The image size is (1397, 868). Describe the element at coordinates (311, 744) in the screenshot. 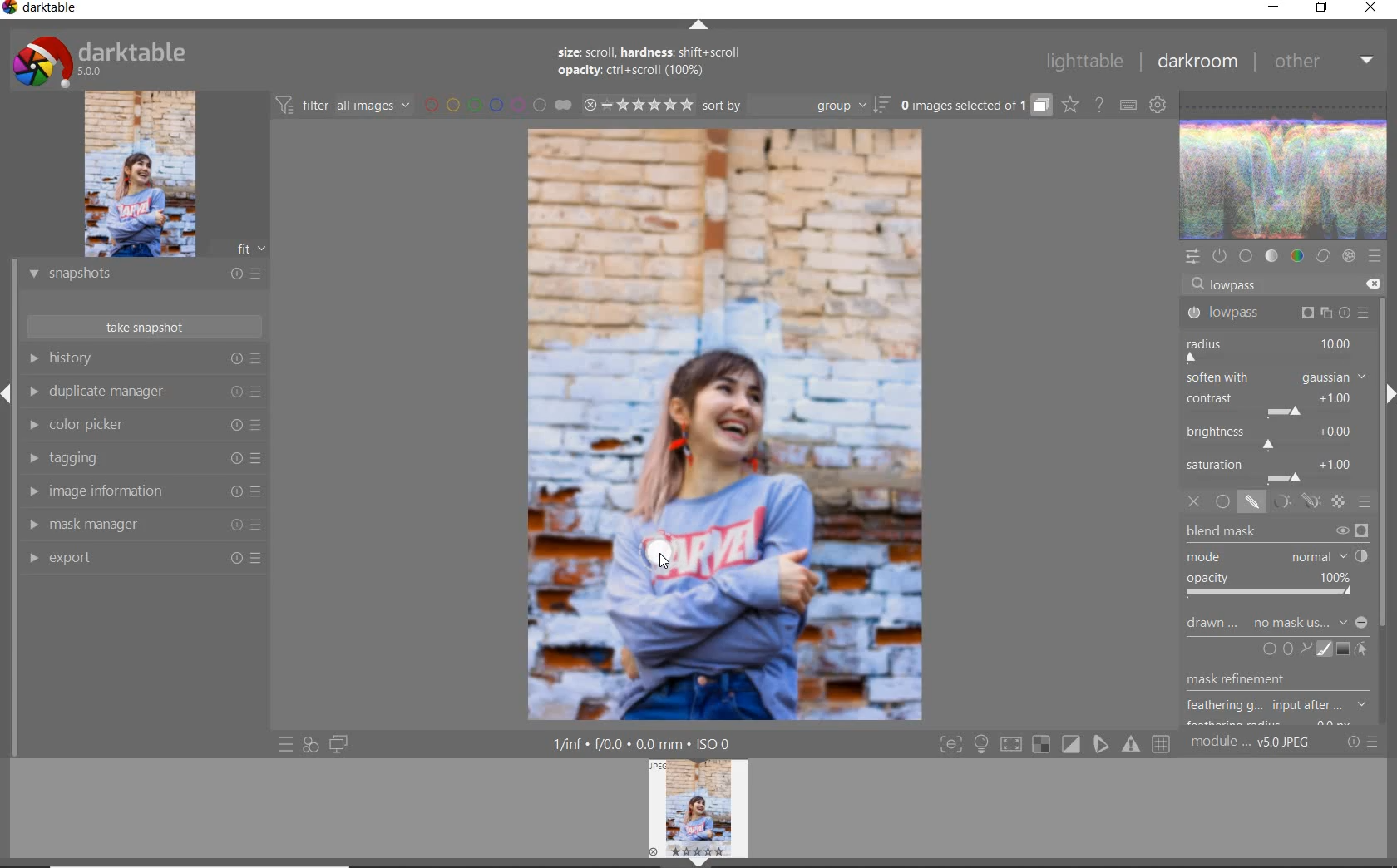

I see `quick access for applying any of your styles` at that location.